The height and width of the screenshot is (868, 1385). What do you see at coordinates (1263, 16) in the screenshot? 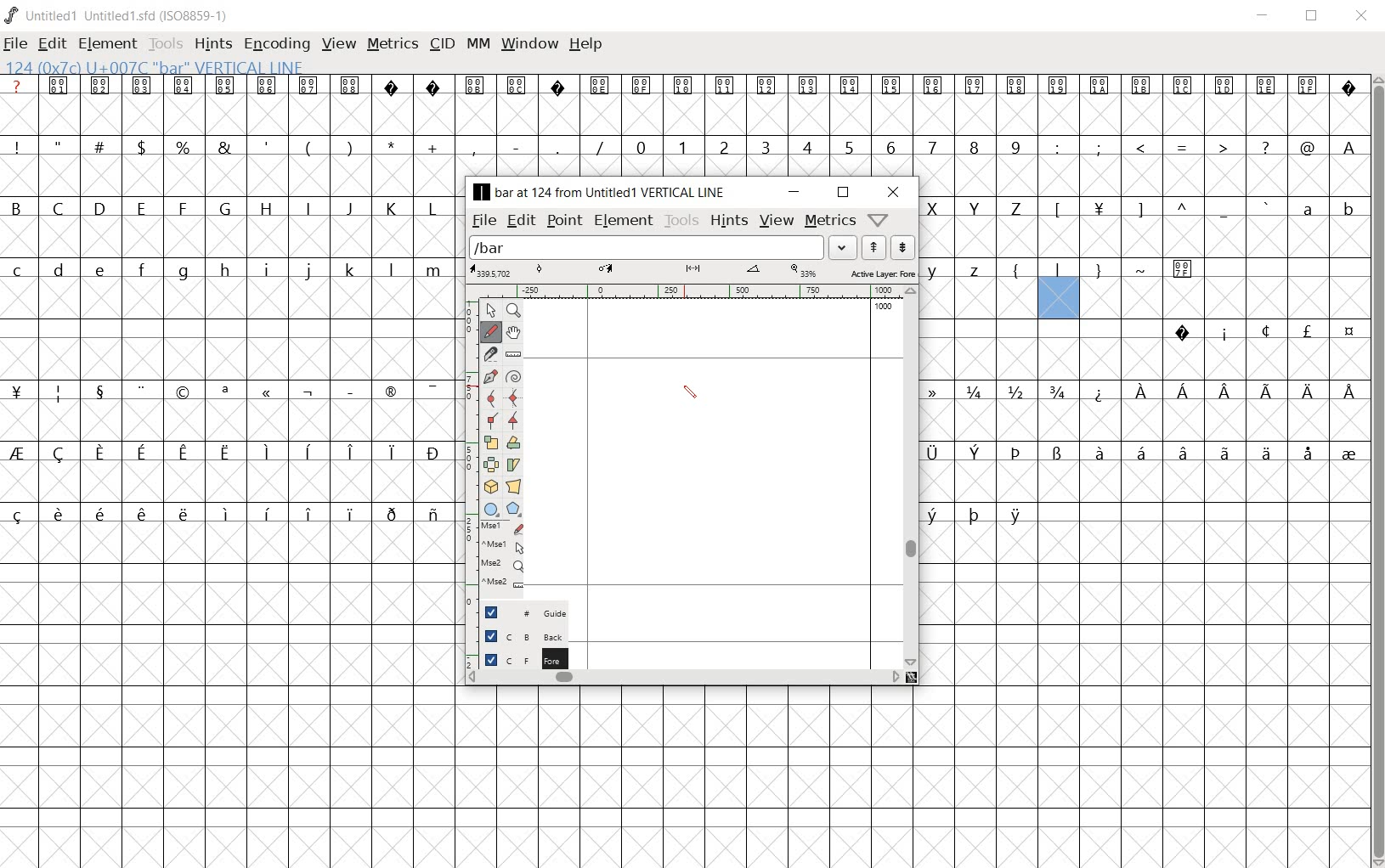
I see `minimize` at bounding box center [1263, 16].